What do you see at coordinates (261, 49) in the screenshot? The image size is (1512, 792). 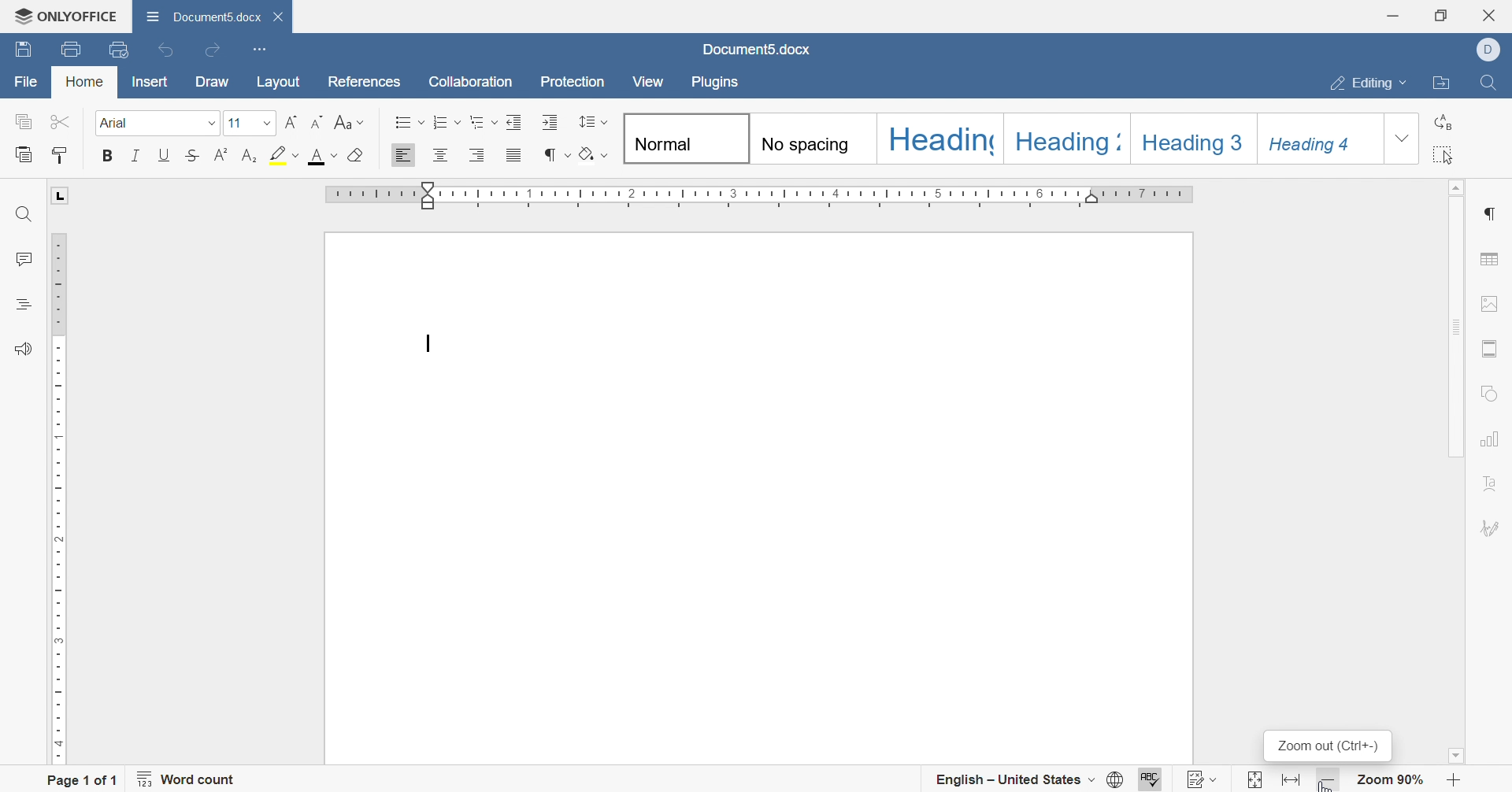 I see `customize quick access toolbar` at bounding box center [261, 49].